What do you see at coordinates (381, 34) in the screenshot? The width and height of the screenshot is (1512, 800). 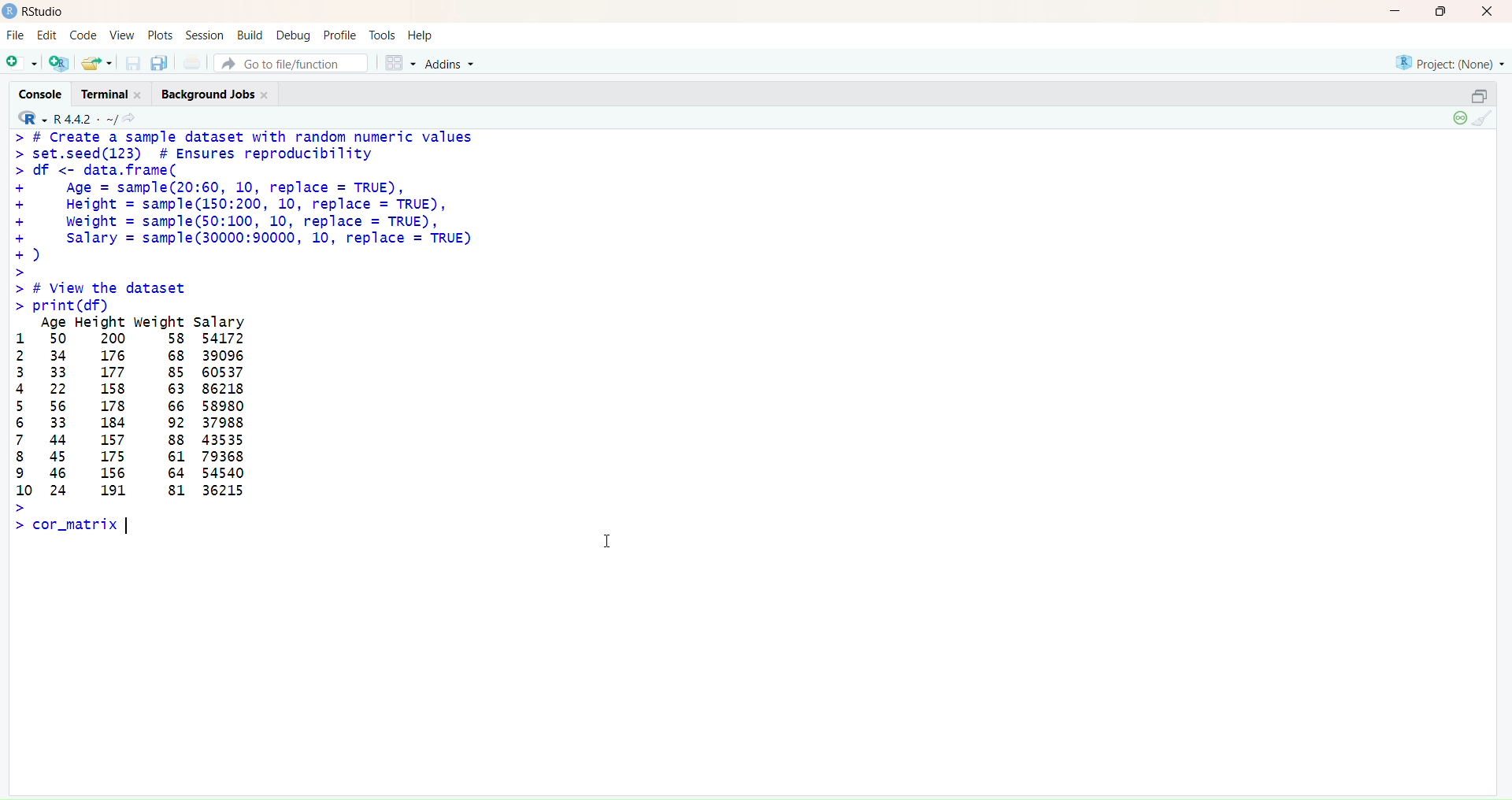 I see `Tools` at bounding box center [381, 34].